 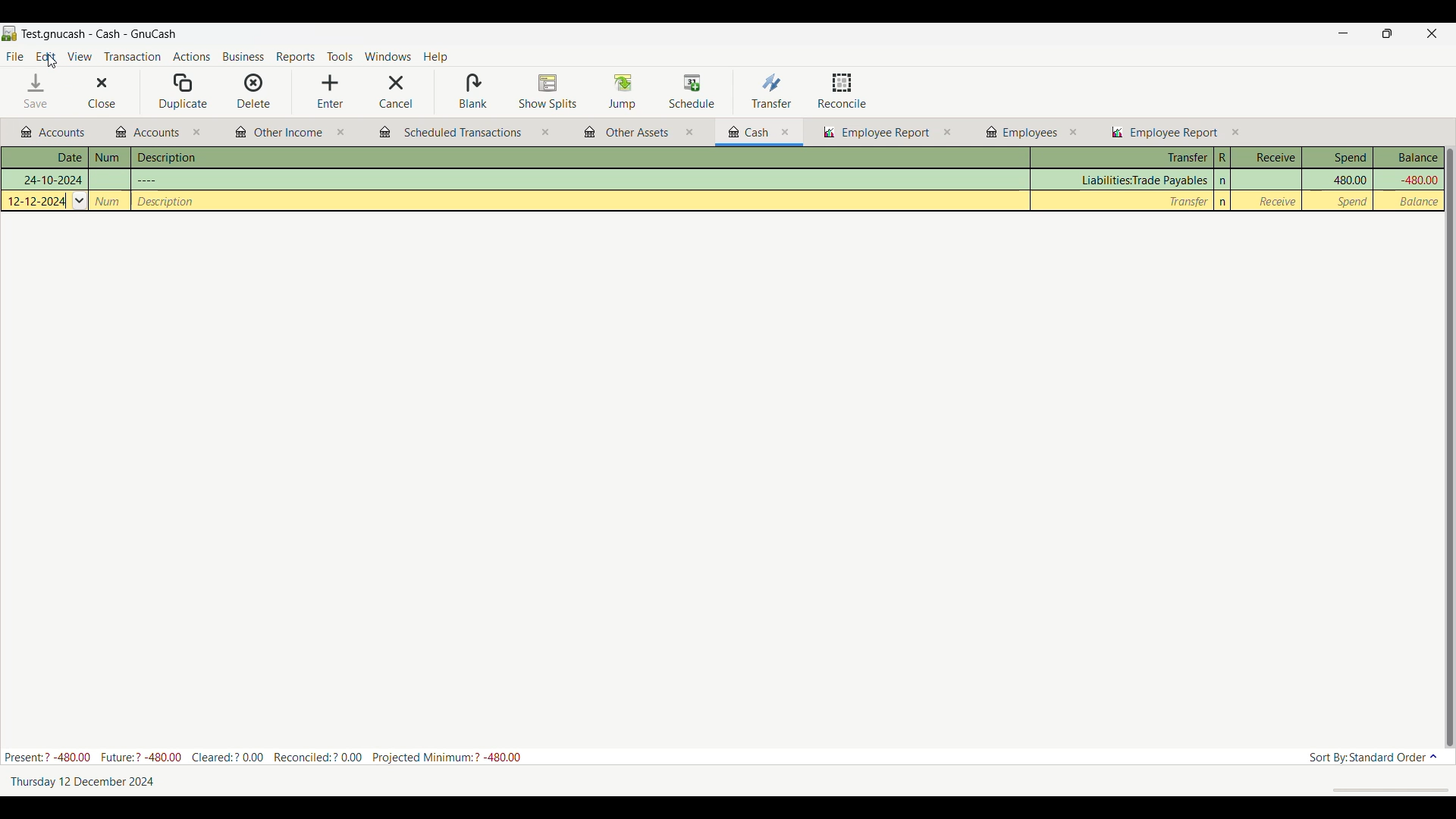 I want to click on Business menu, so click(x=243, y=57).